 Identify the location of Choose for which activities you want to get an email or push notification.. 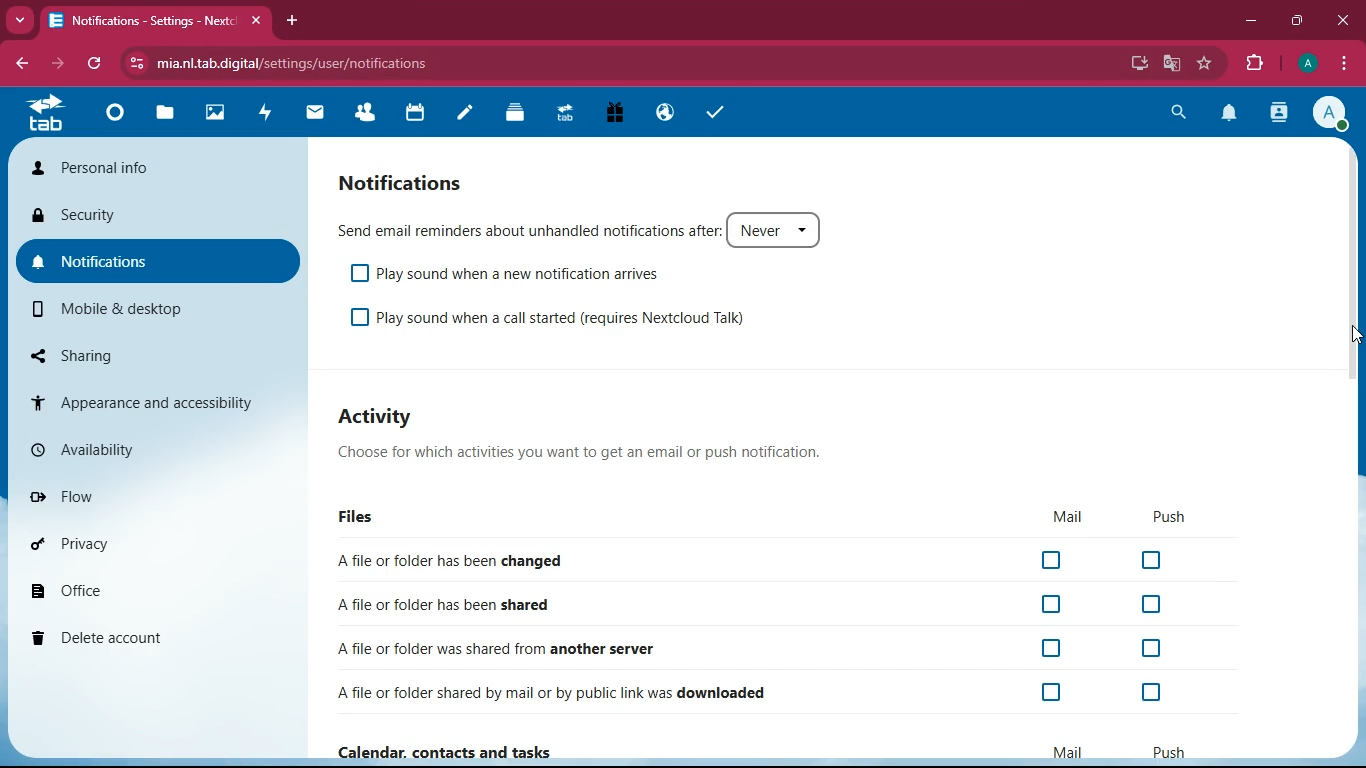
(577, 455).